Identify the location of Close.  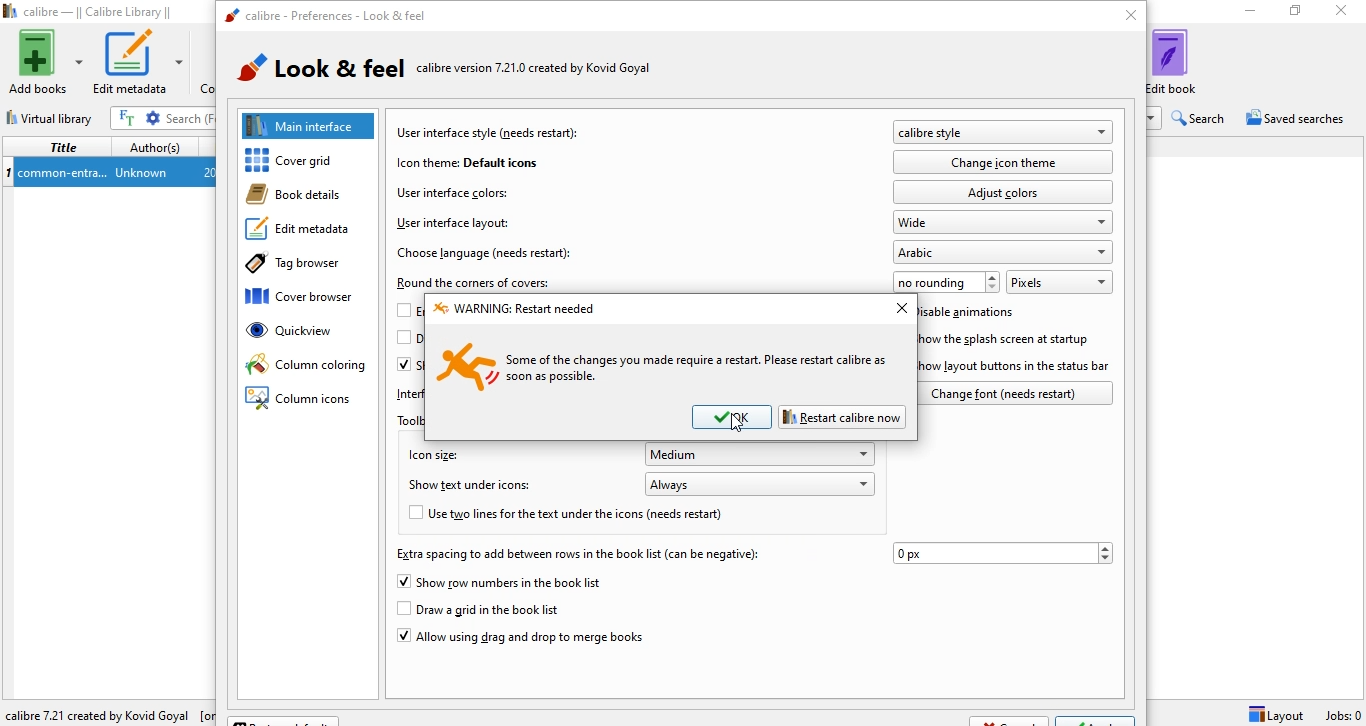
(1345, 13).